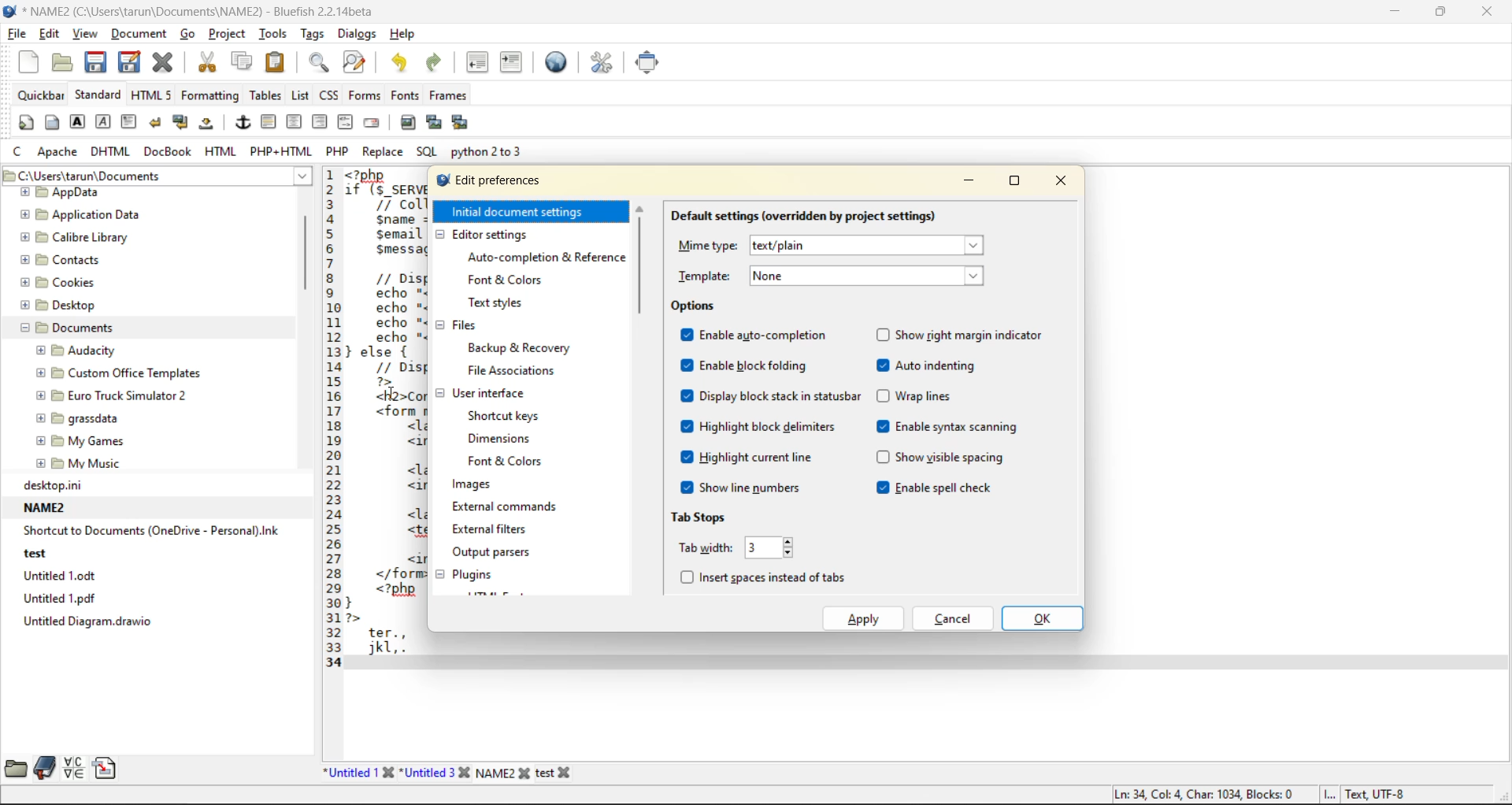  Describe the element at coordinates (54, 122) in the screenshot. I see `body` at that location.